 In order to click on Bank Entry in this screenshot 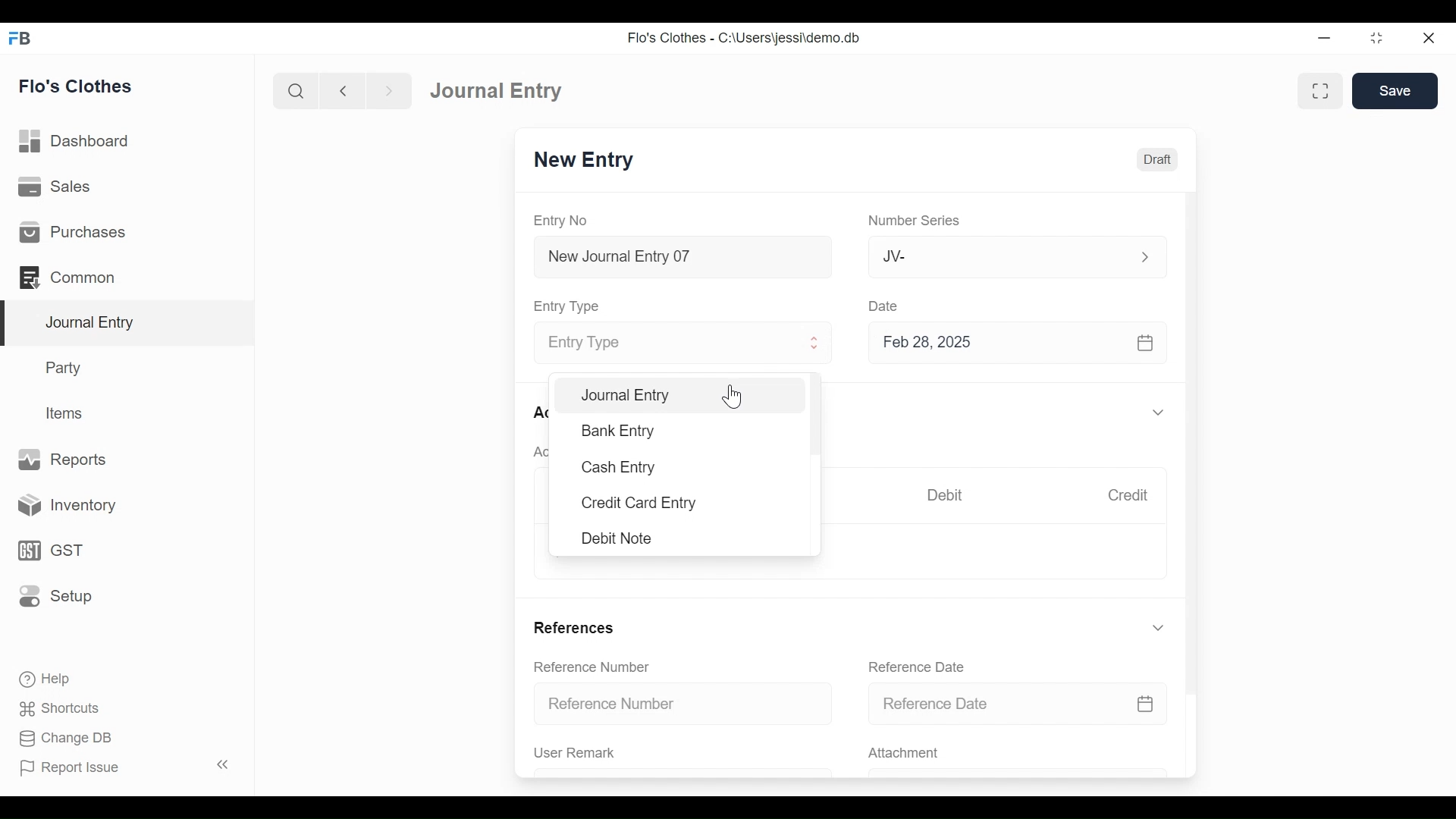, I will do `click(620, 431)`.